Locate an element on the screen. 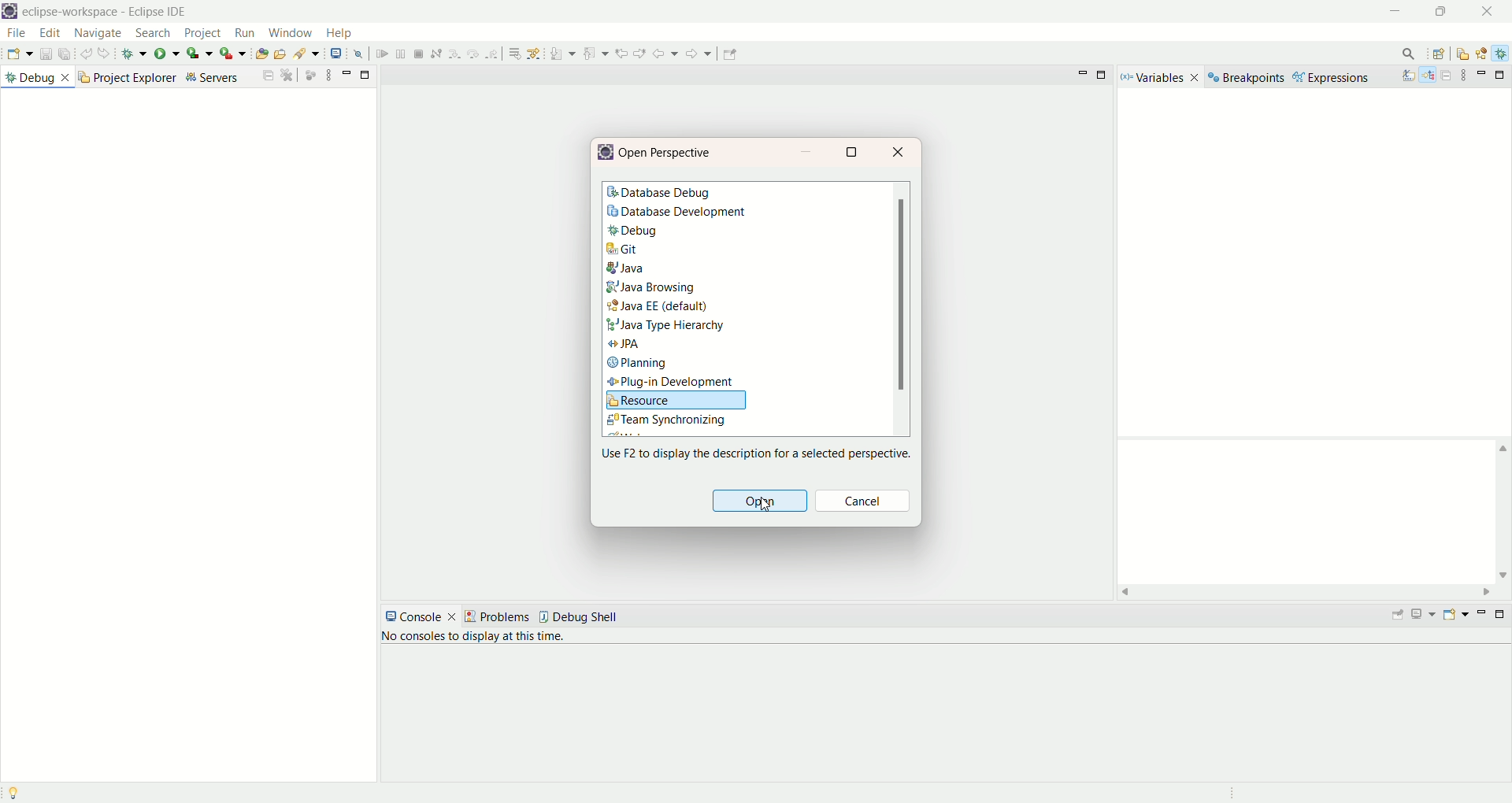  planning is located at coordinates (639, 364).